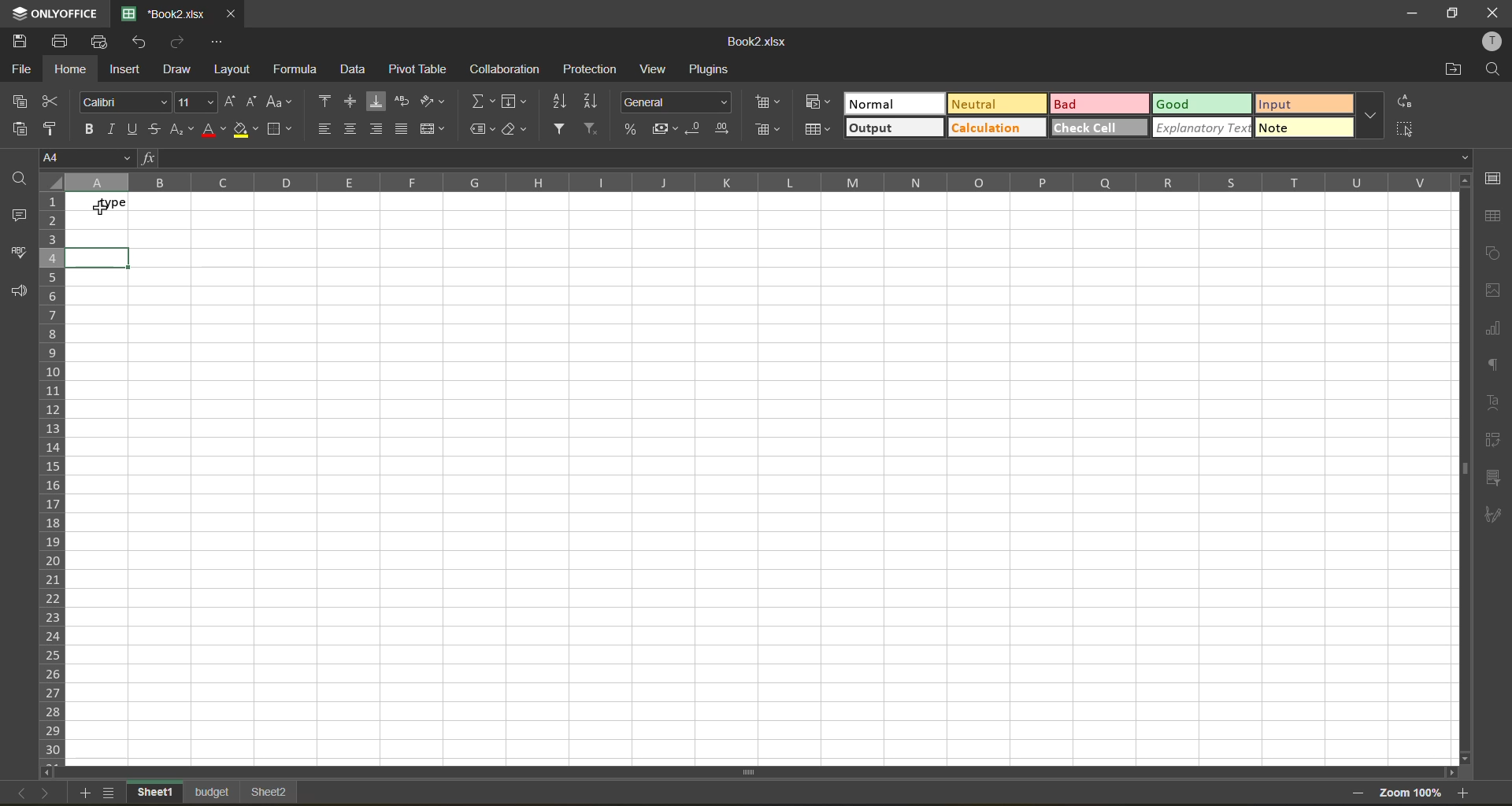 Image resolution: width=1512 pixels, height=806 pixels. I want to click on conditional formatting, so click(820, 103).